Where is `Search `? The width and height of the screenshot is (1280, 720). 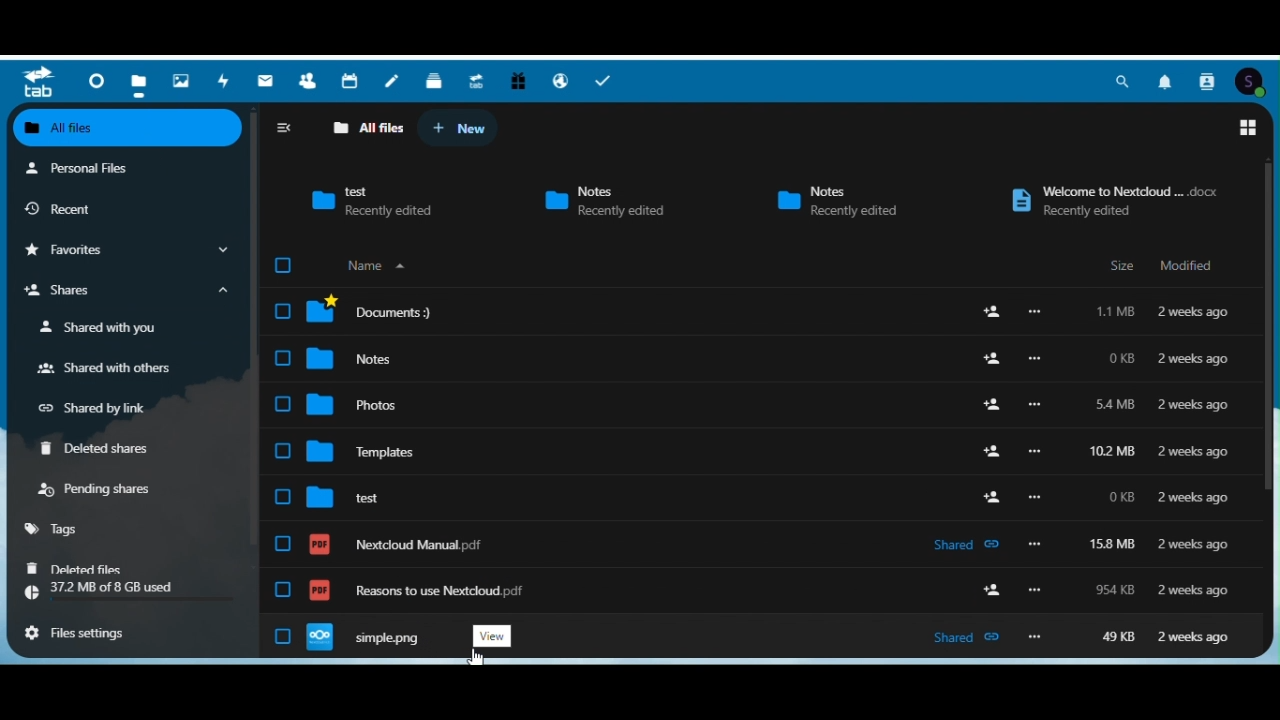
Search  is located at coordinates (1123, 81).